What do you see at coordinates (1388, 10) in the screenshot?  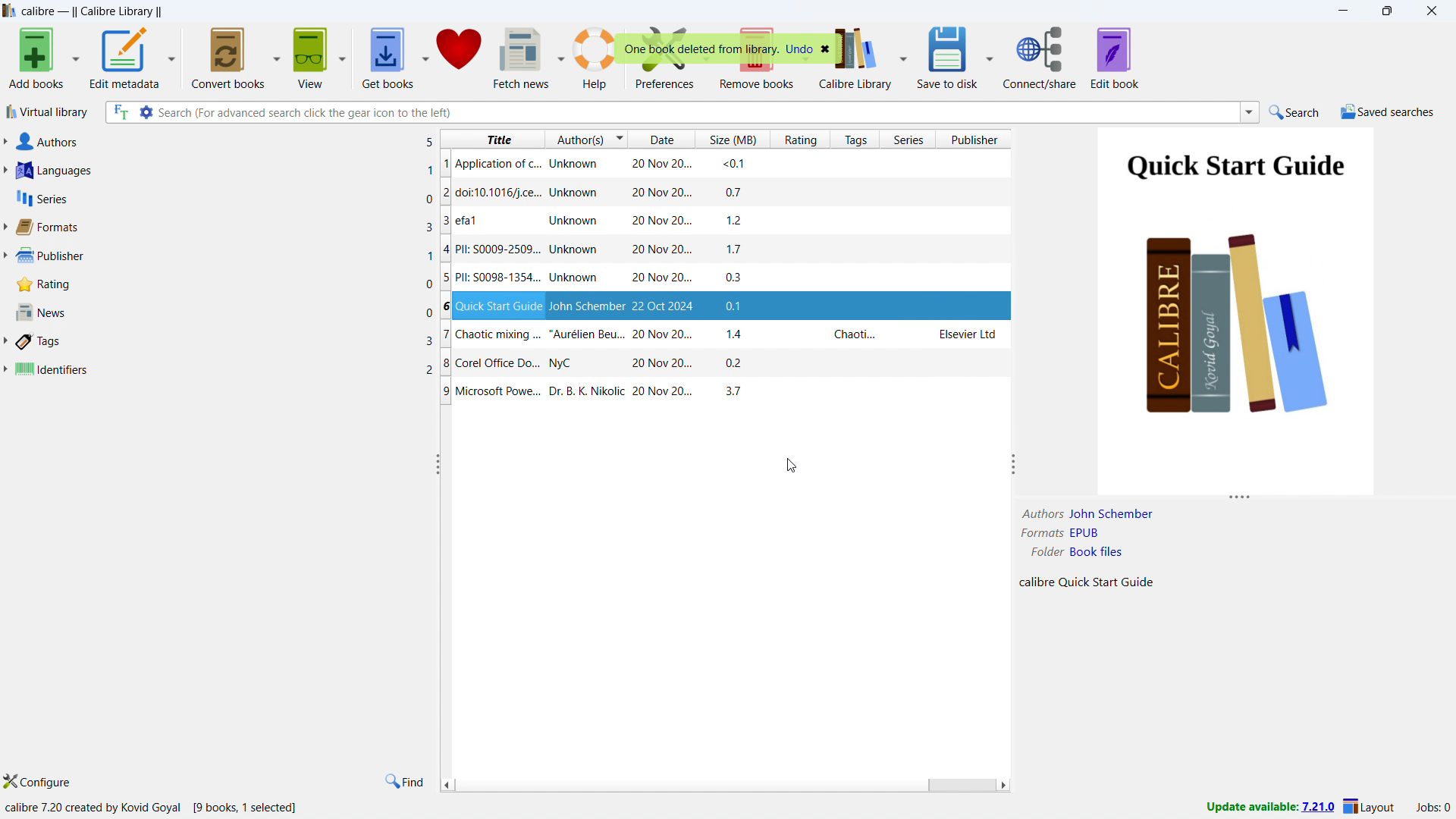 I see `maximize` at bounding box center [1388, 10].